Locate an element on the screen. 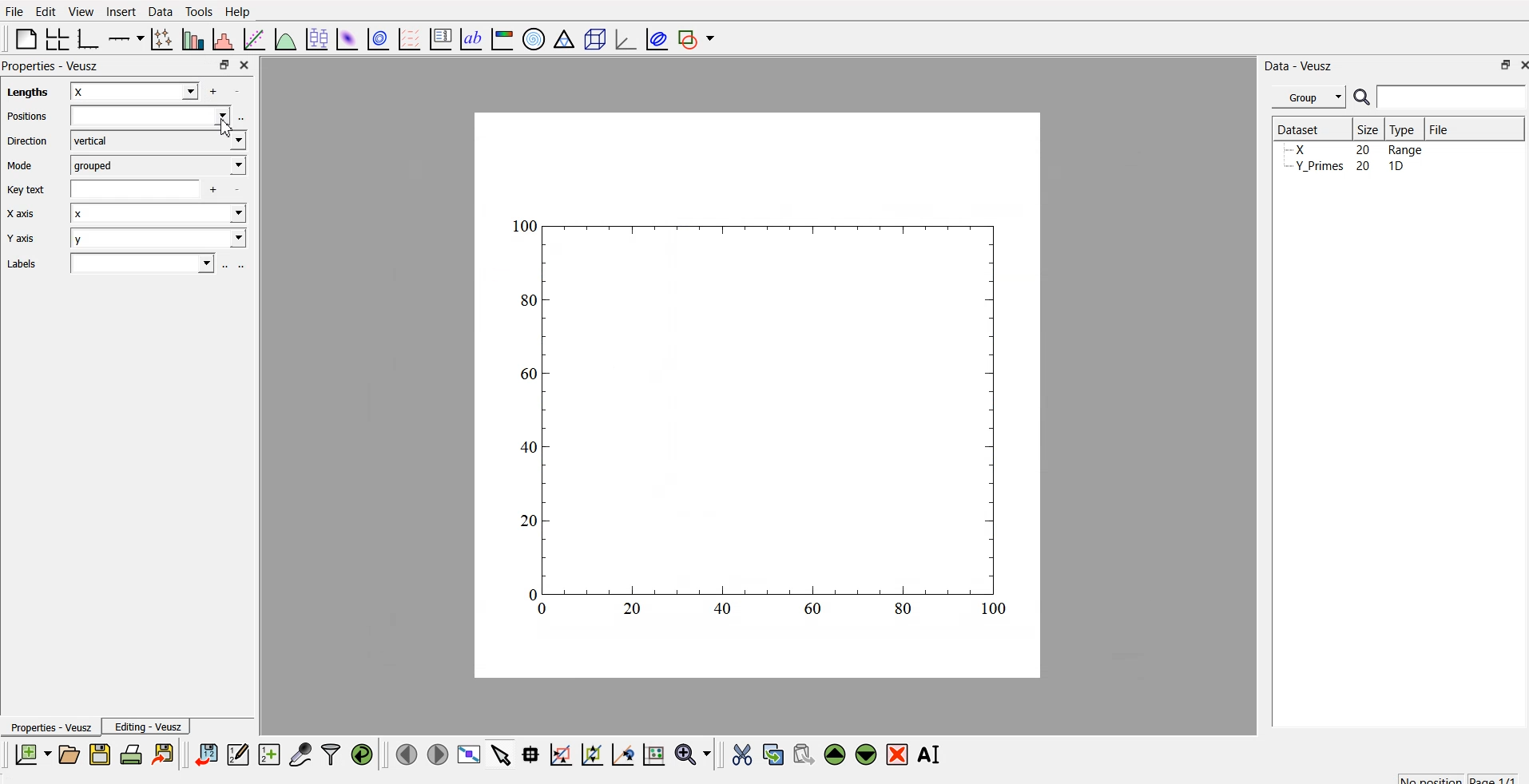 The width and height of the screenshot is (1529, 784). new document is located at coordinates (30, 754).